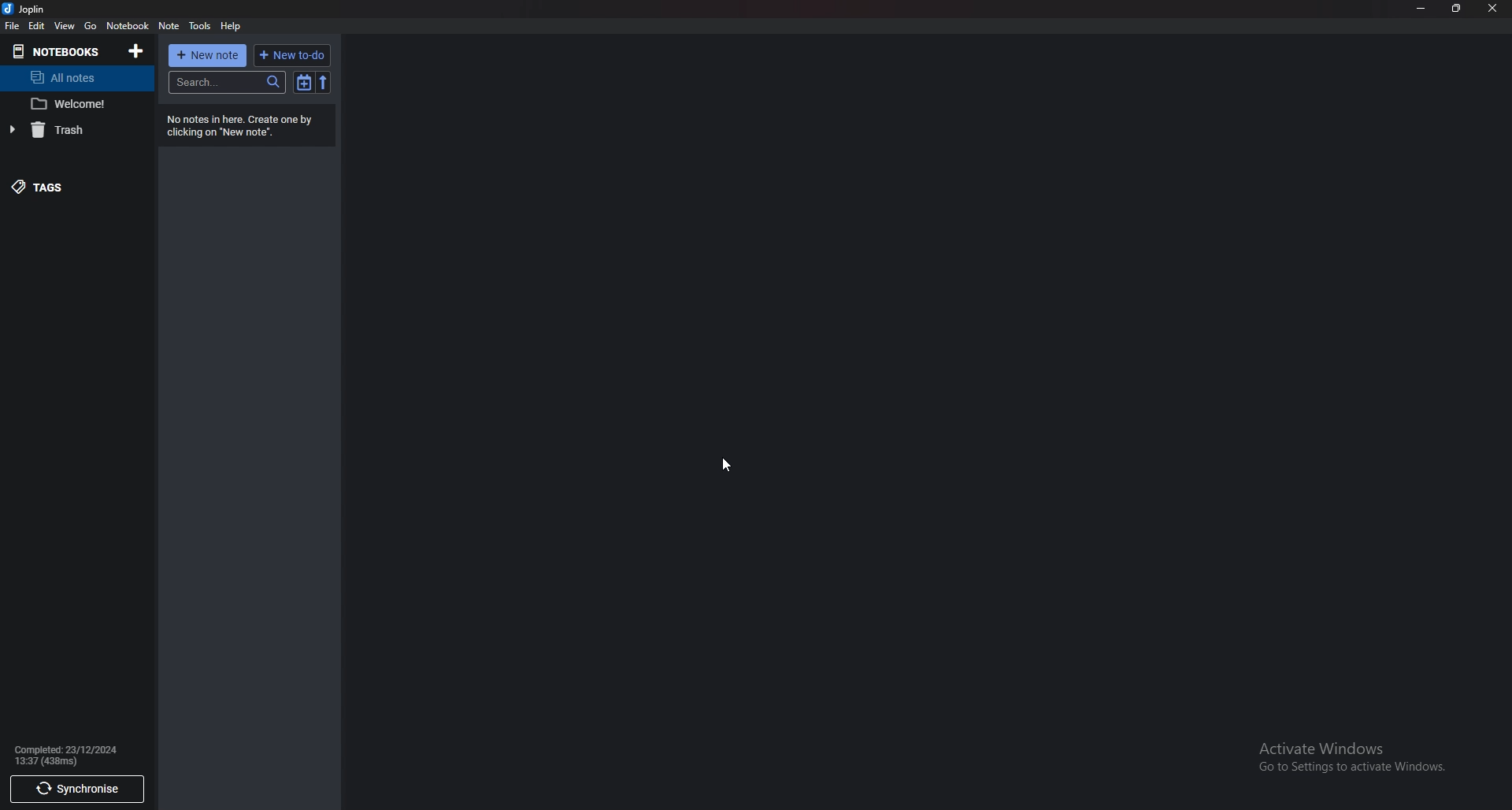 This screenshot has height=810, width=1512. I want to click on Tools, so click(198, 25).